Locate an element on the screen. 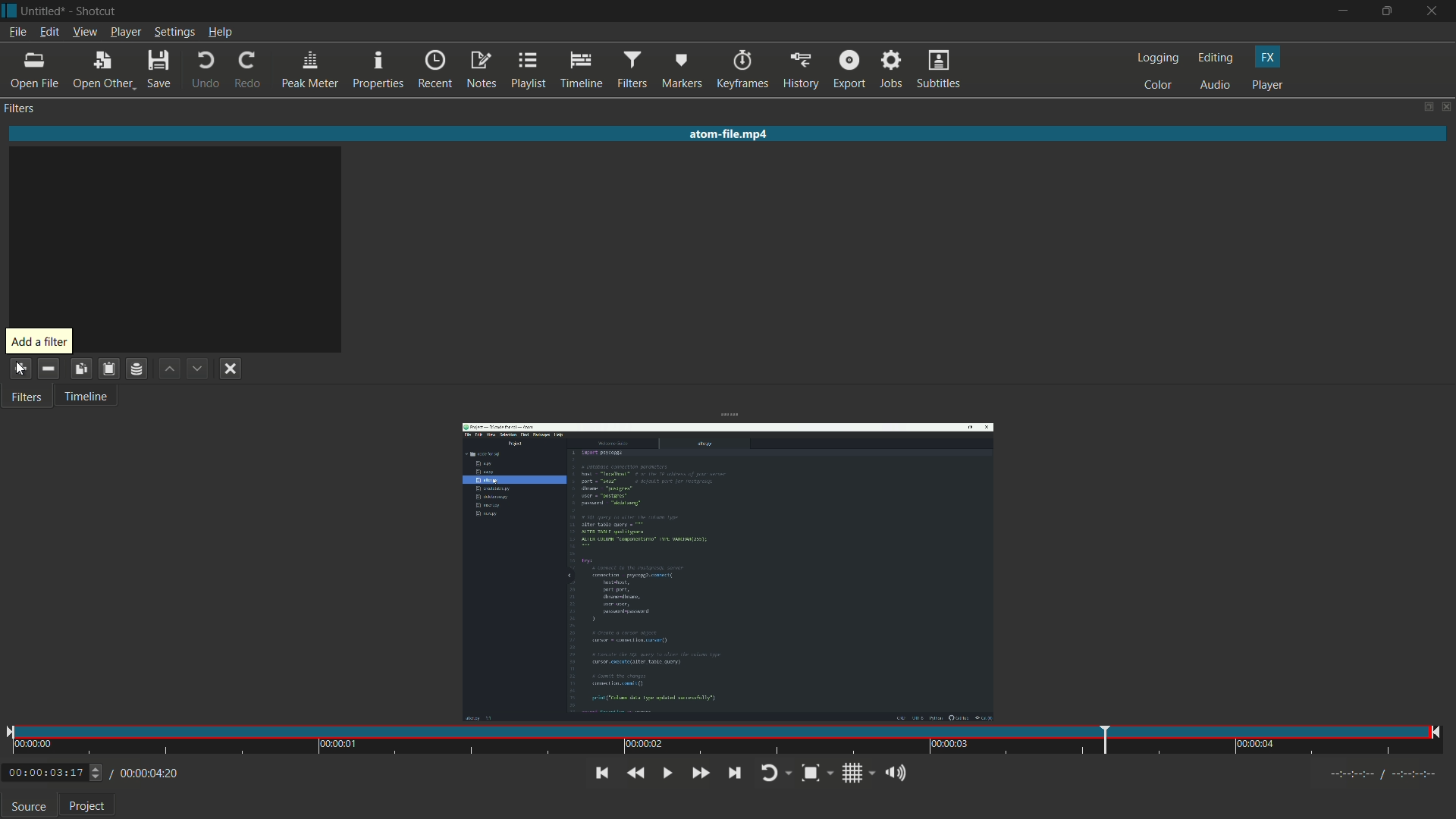 The width and height of the screenshot is (1456, 819). keyframes is located at coordinates (741, 71).